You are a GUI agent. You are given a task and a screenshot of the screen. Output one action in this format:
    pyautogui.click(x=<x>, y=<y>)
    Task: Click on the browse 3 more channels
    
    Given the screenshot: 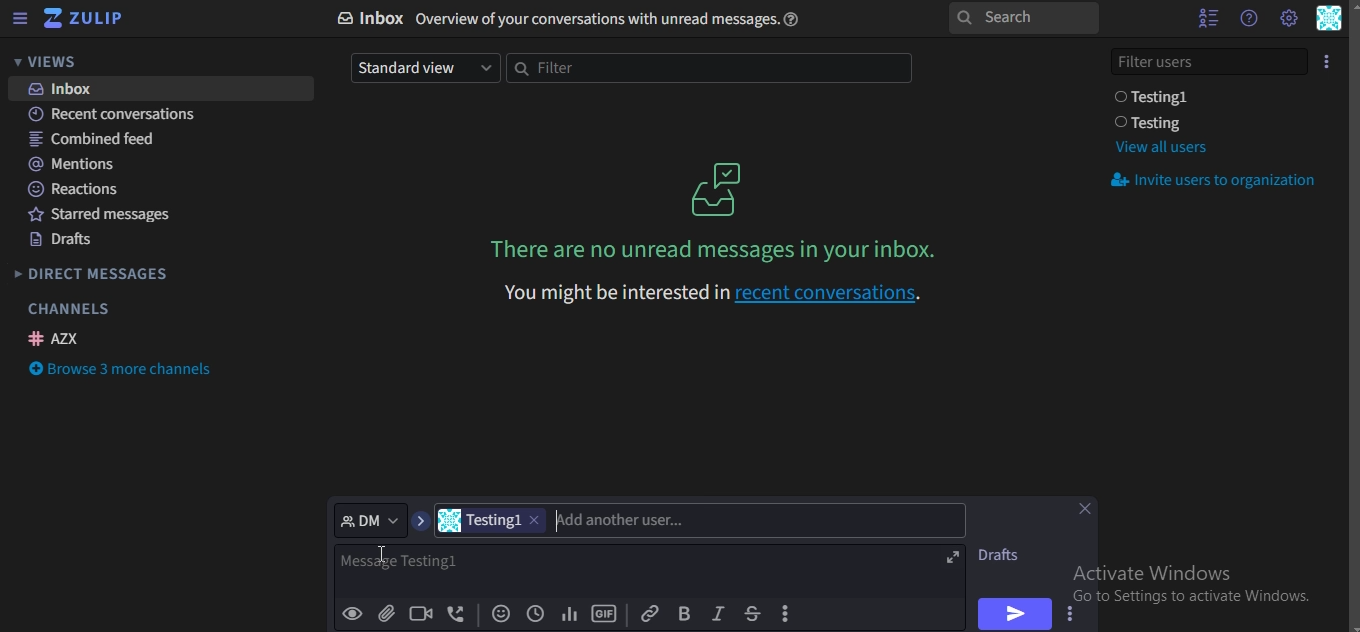 What is the action you would take?
    pyautogui.click(x=124, y=371)
    